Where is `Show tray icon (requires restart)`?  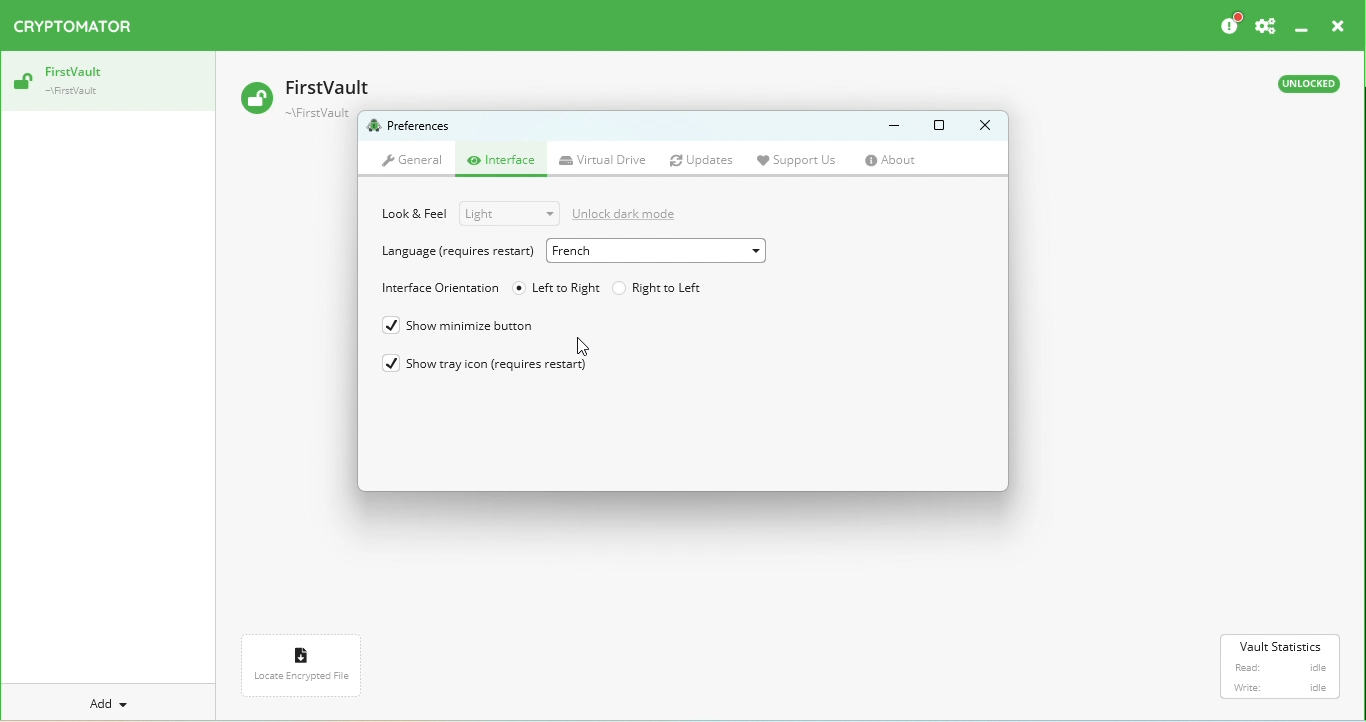
Show tray icon (requires restart) is located at coordinates (493, 368).